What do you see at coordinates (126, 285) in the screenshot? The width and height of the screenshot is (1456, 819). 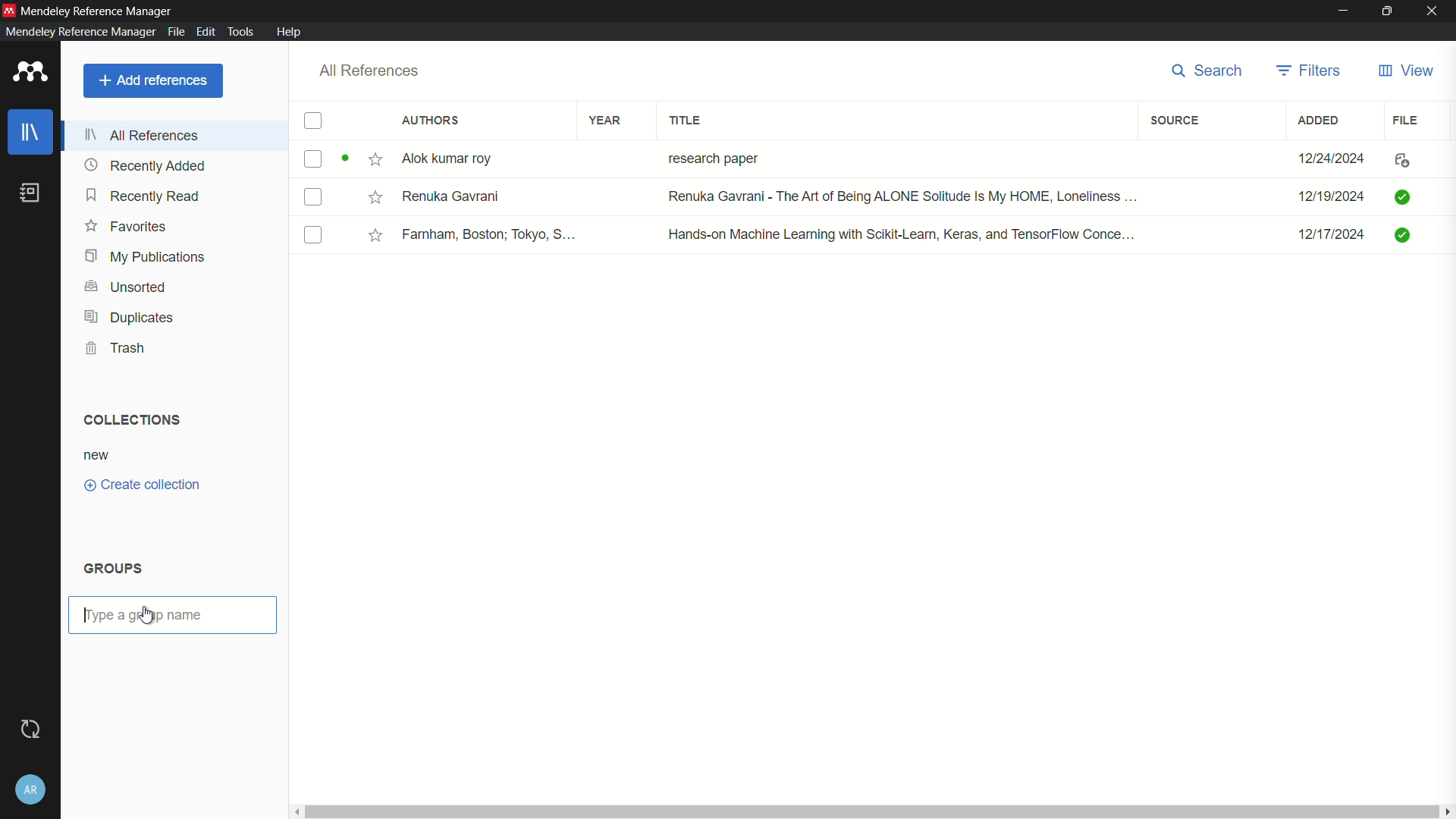 I see `unsorted` at bounding box center [126, 285].